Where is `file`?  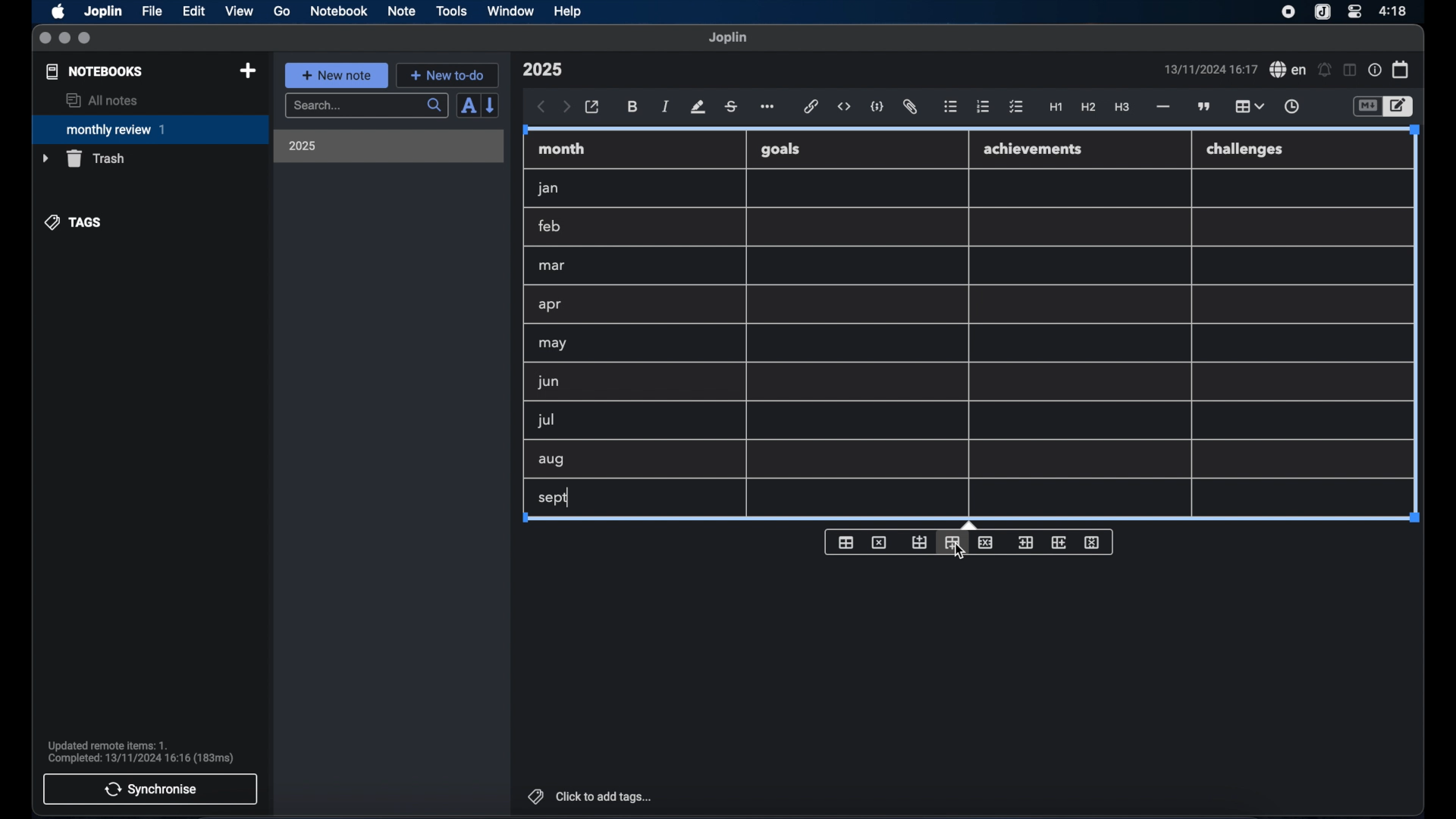 file is located at coordinates (152, 11).